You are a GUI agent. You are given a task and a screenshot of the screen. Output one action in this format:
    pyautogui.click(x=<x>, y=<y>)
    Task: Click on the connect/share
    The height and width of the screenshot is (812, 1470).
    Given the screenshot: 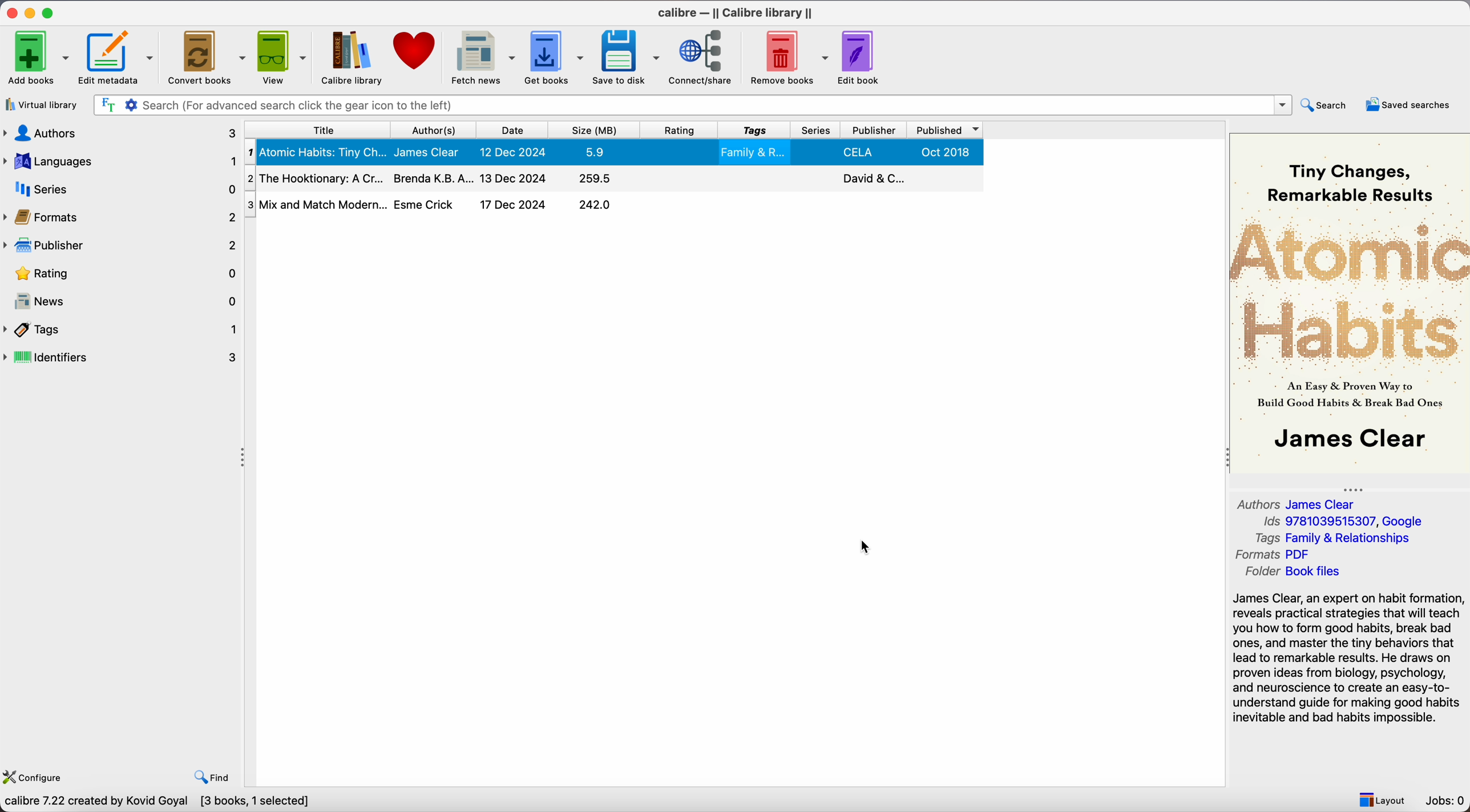 What is the action you would take?
    pyautogui.click(x=701, y=56)
    